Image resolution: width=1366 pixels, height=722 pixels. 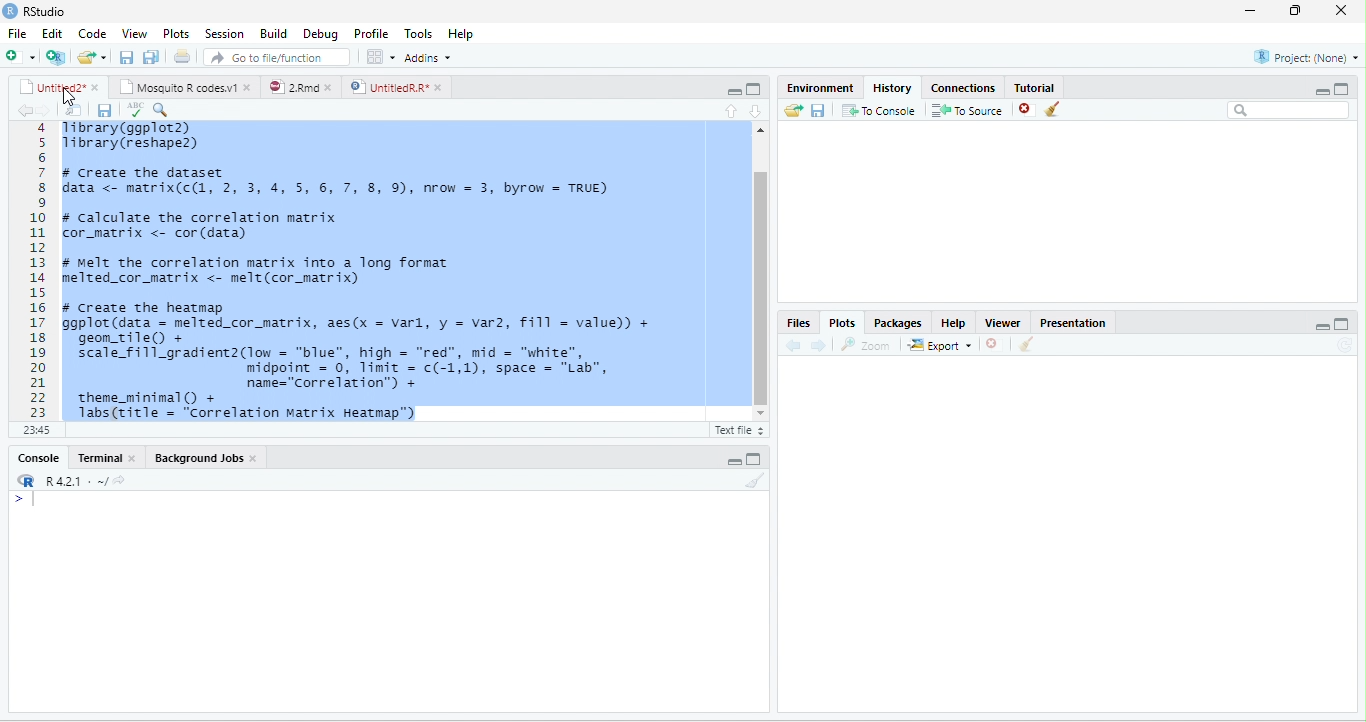 I want to click on 2Rnd, so click(x=295, y=86).